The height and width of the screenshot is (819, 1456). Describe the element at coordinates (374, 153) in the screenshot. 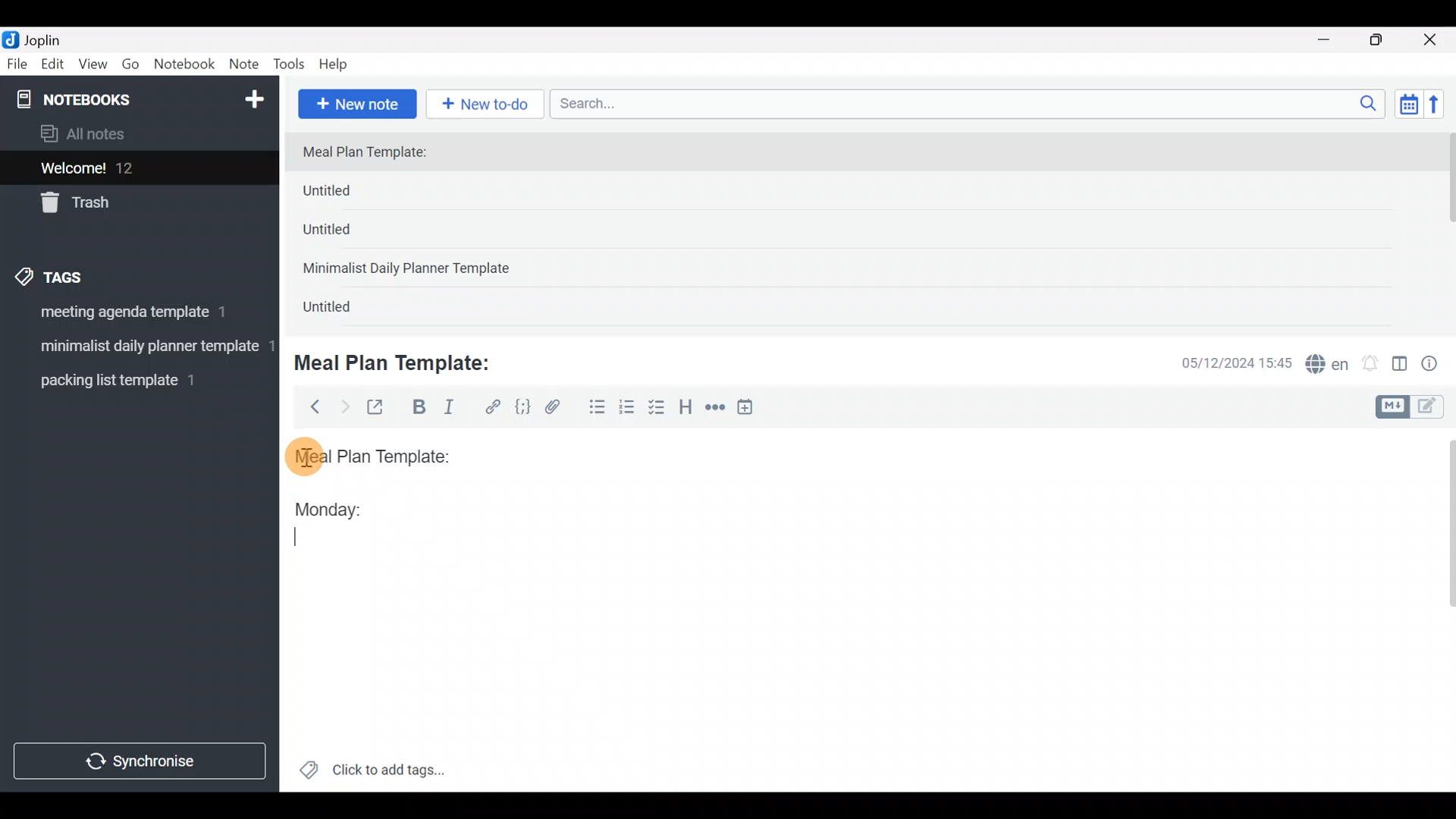

I see `Meal Plan Template:` at that location.